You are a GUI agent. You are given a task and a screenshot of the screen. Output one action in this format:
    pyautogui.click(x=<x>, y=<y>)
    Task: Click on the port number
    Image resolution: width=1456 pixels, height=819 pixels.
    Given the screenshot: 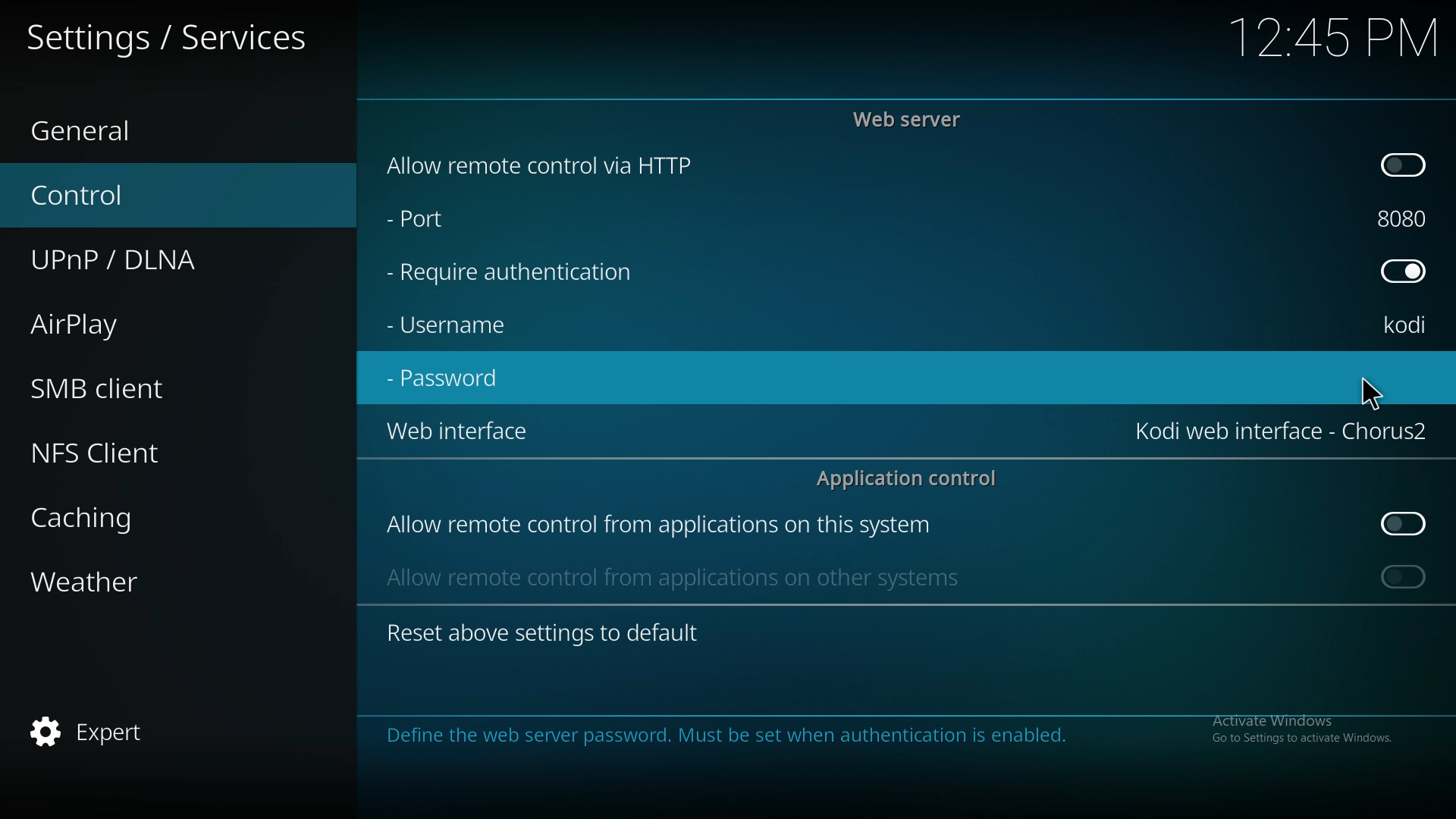 What is the action you would take?
    pyautogui.click(x=1406, y=215)
    